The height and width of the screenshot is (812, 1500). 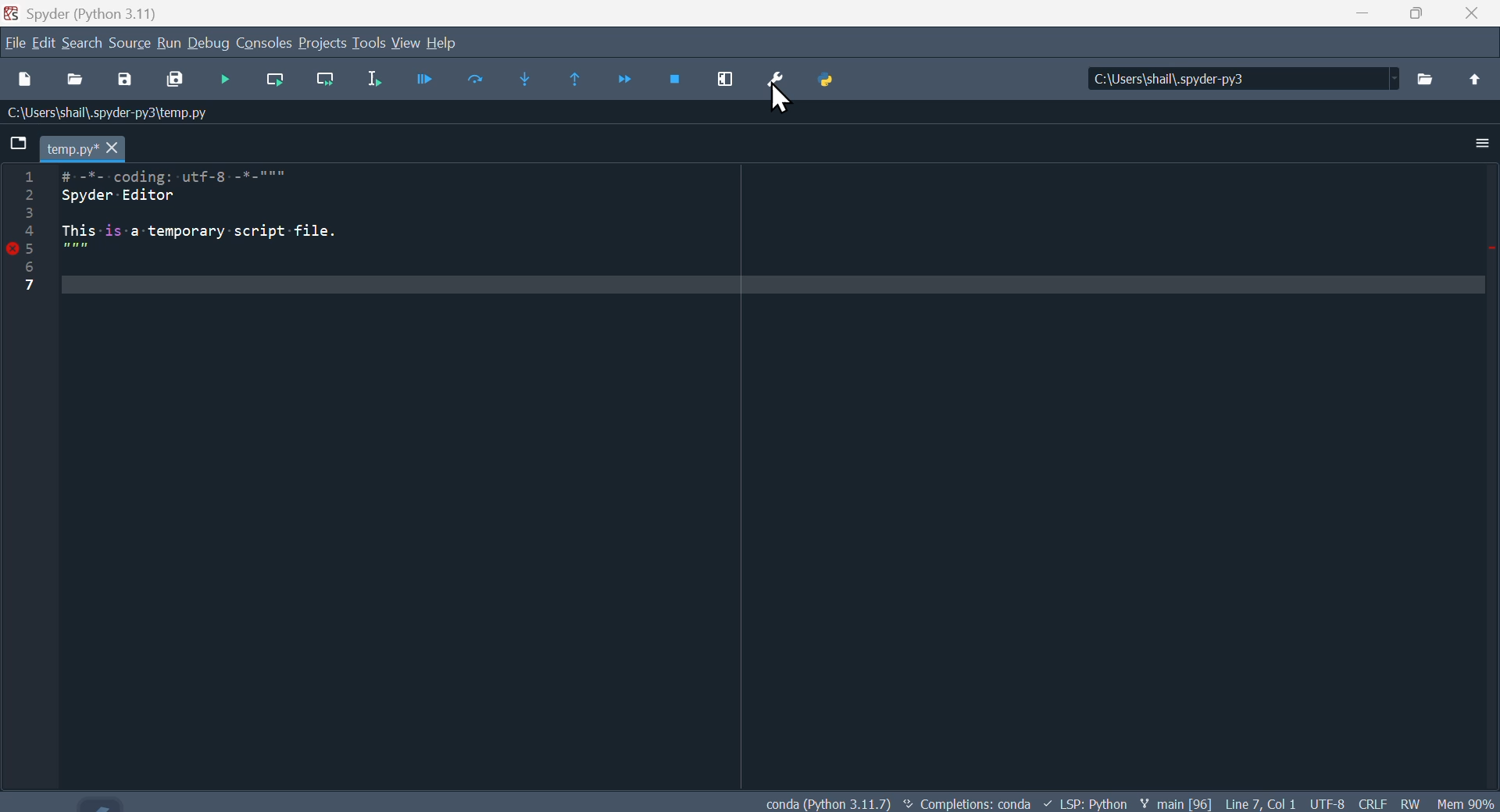 I want to click on , so click(x=45, y=44).